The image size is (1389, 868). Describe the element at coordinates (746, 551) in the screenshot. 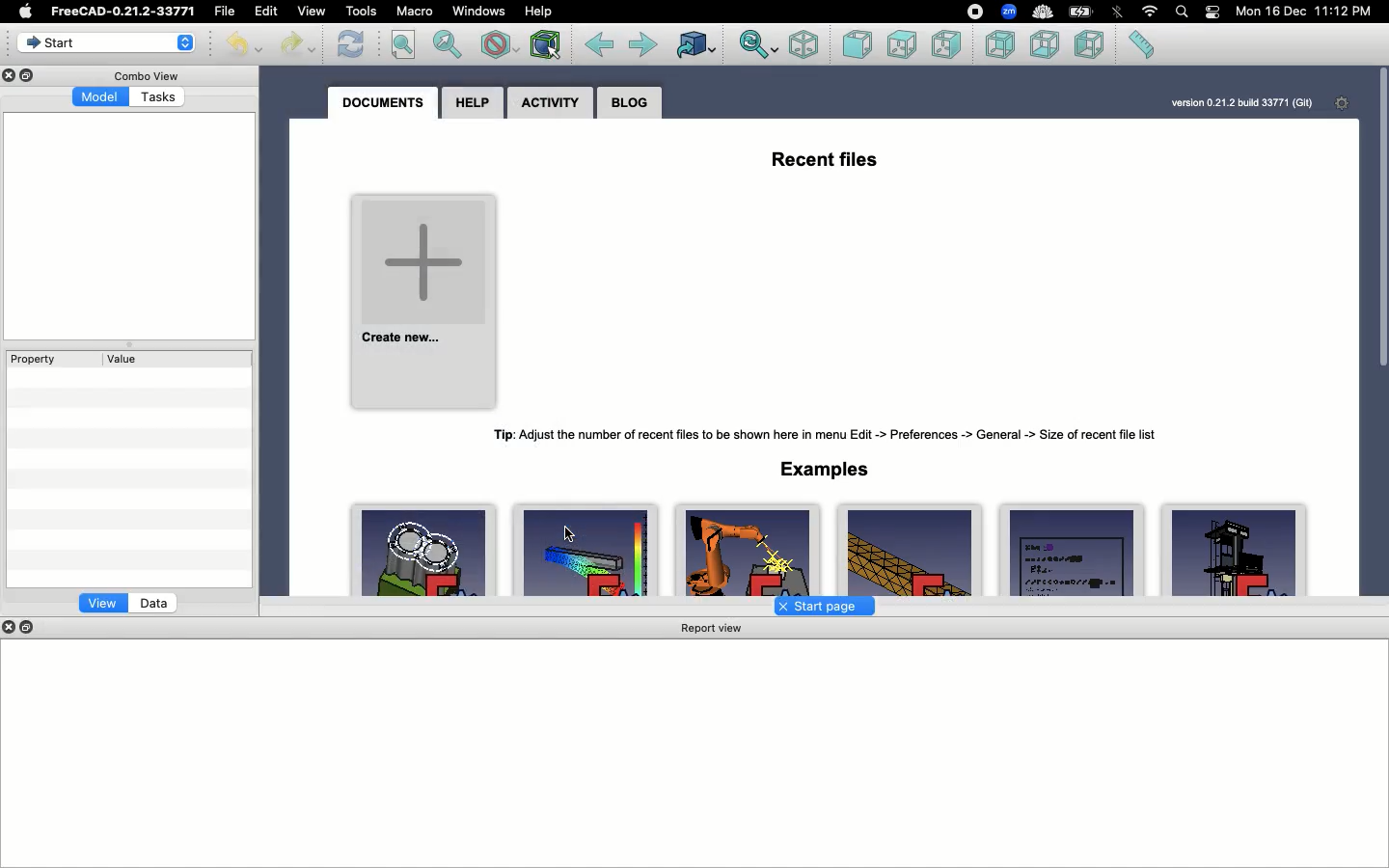

I see `RobotExample.FCStd Jiirgen Riegel 199Kb` at that location.